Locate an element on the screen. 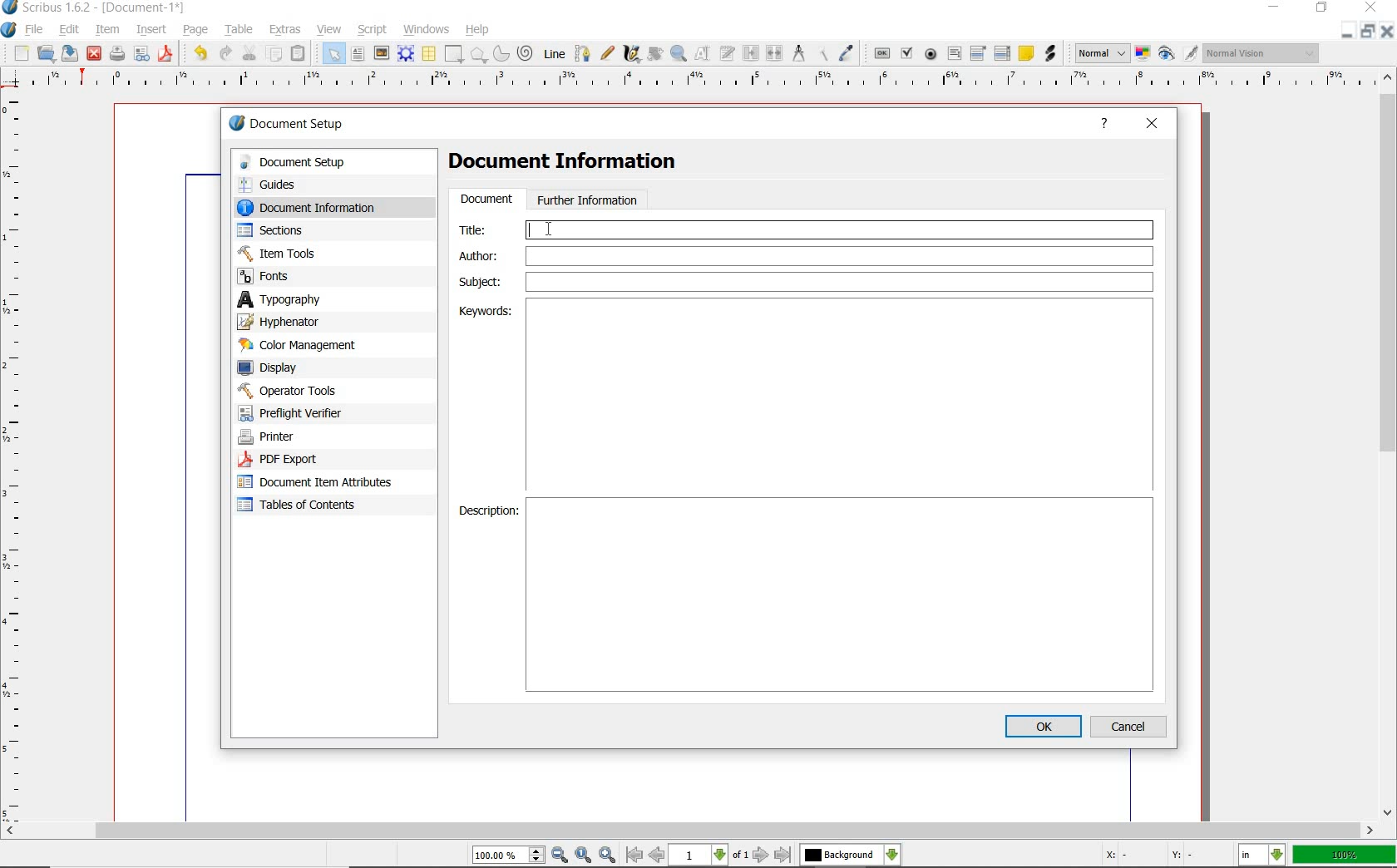 The height and width of the screenshot is (868, 1397). shape is located at coordinates (454, 53).